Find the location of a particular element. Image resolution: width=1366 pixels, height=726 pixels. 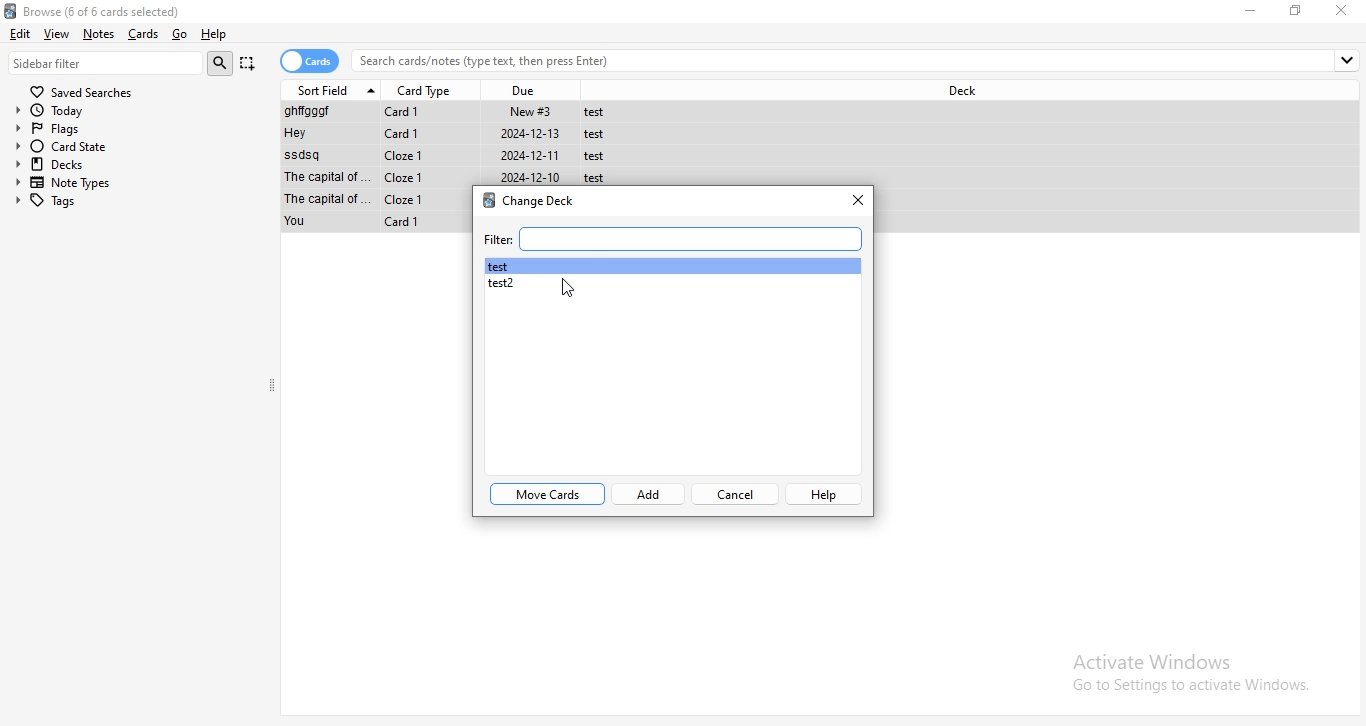

Cursor is located at coordinates (570, 288).